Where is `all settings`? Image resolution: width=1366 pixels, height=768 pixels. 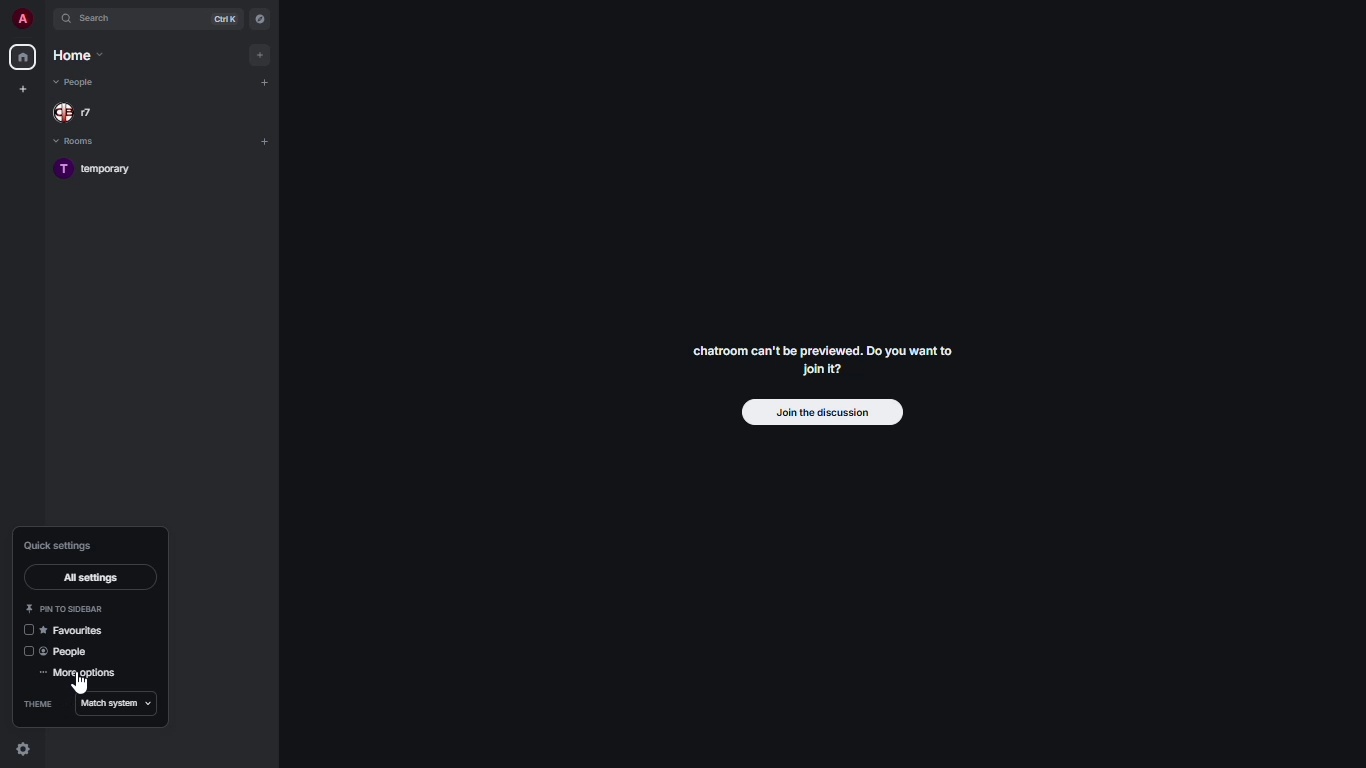 all settings is located at coordinates (90, 578).